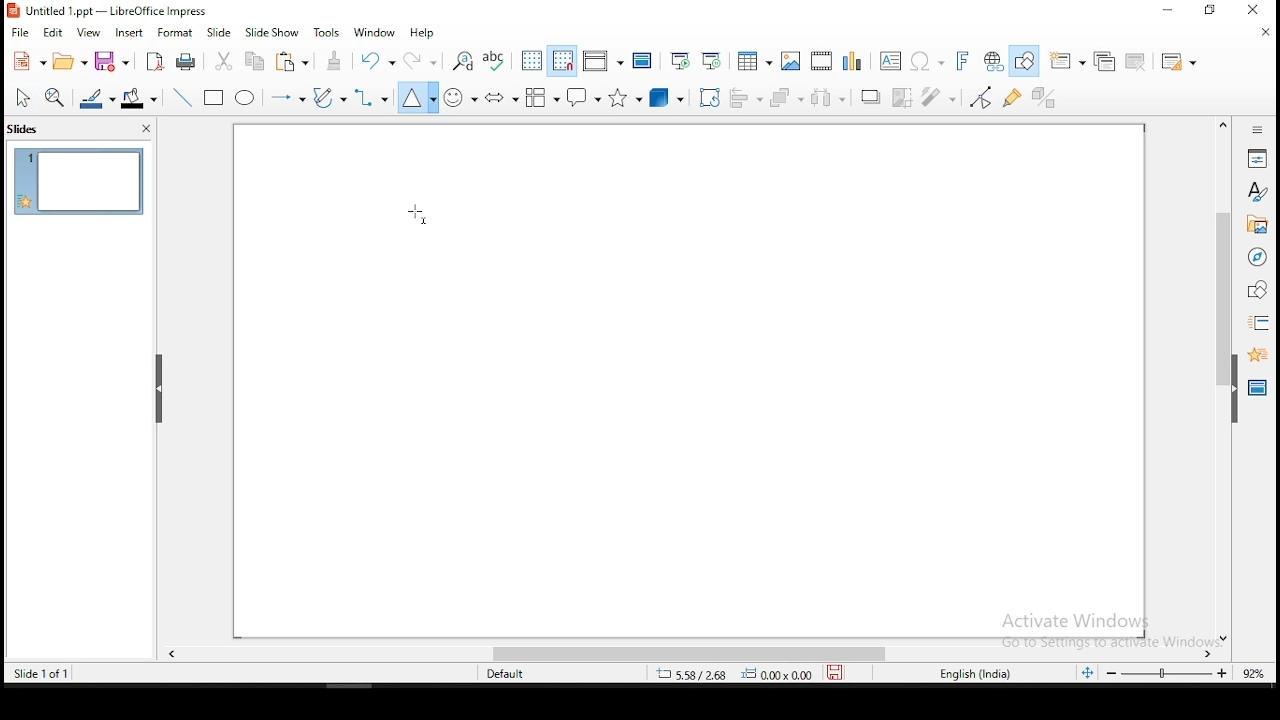  What do you see at coordinates (1104, 58) in the screenshot?
I see `duplicate slide` at bounding box center [1104, 58].